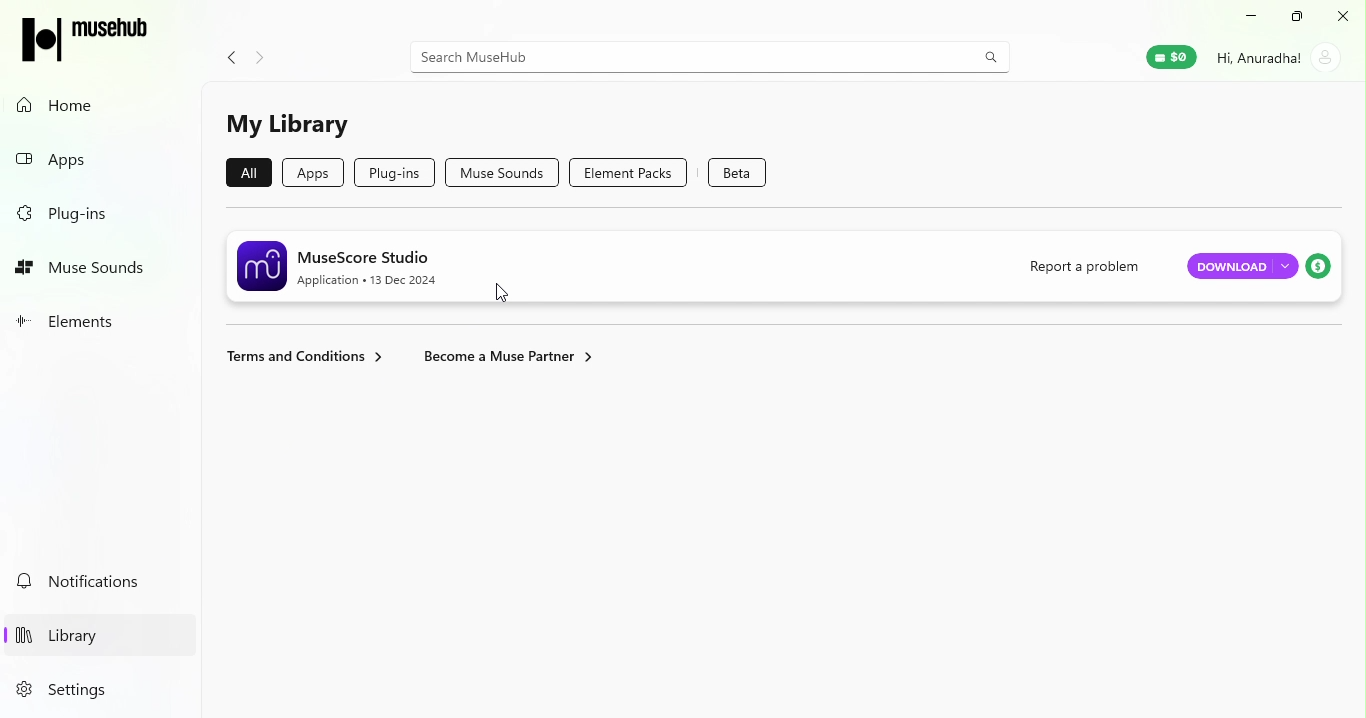 The width and height of the screenshot is (1366, 718). Describe the element at coordinates (245, 173) in the screenshot. I see `All` at that location.